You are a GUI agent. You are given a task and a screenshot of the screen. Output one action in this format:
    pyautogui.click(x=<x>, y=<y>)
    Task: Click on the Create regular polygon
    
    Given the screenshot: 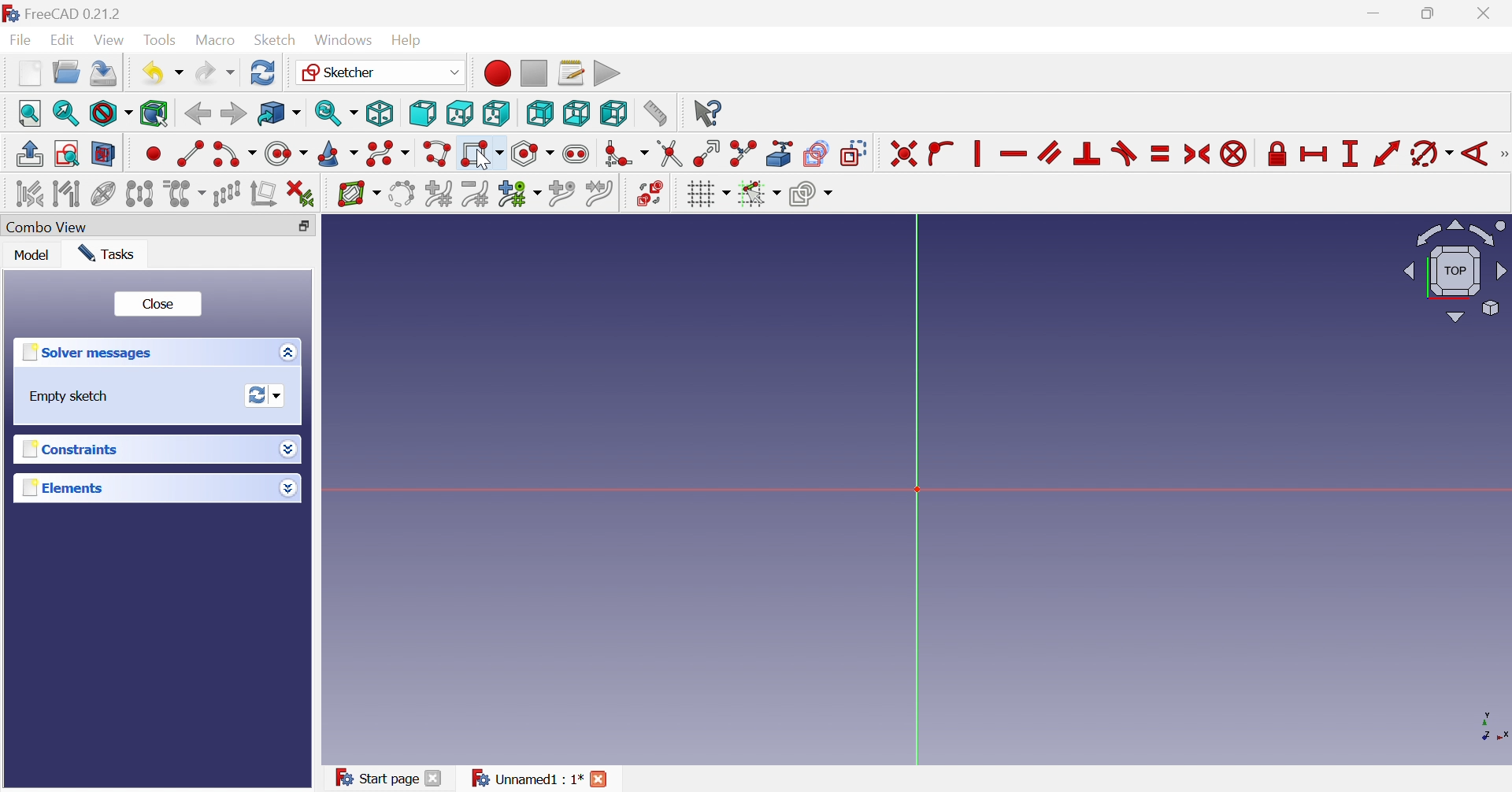 What is the action you would take?
    pyautogui.click(x=533, y=154)
    